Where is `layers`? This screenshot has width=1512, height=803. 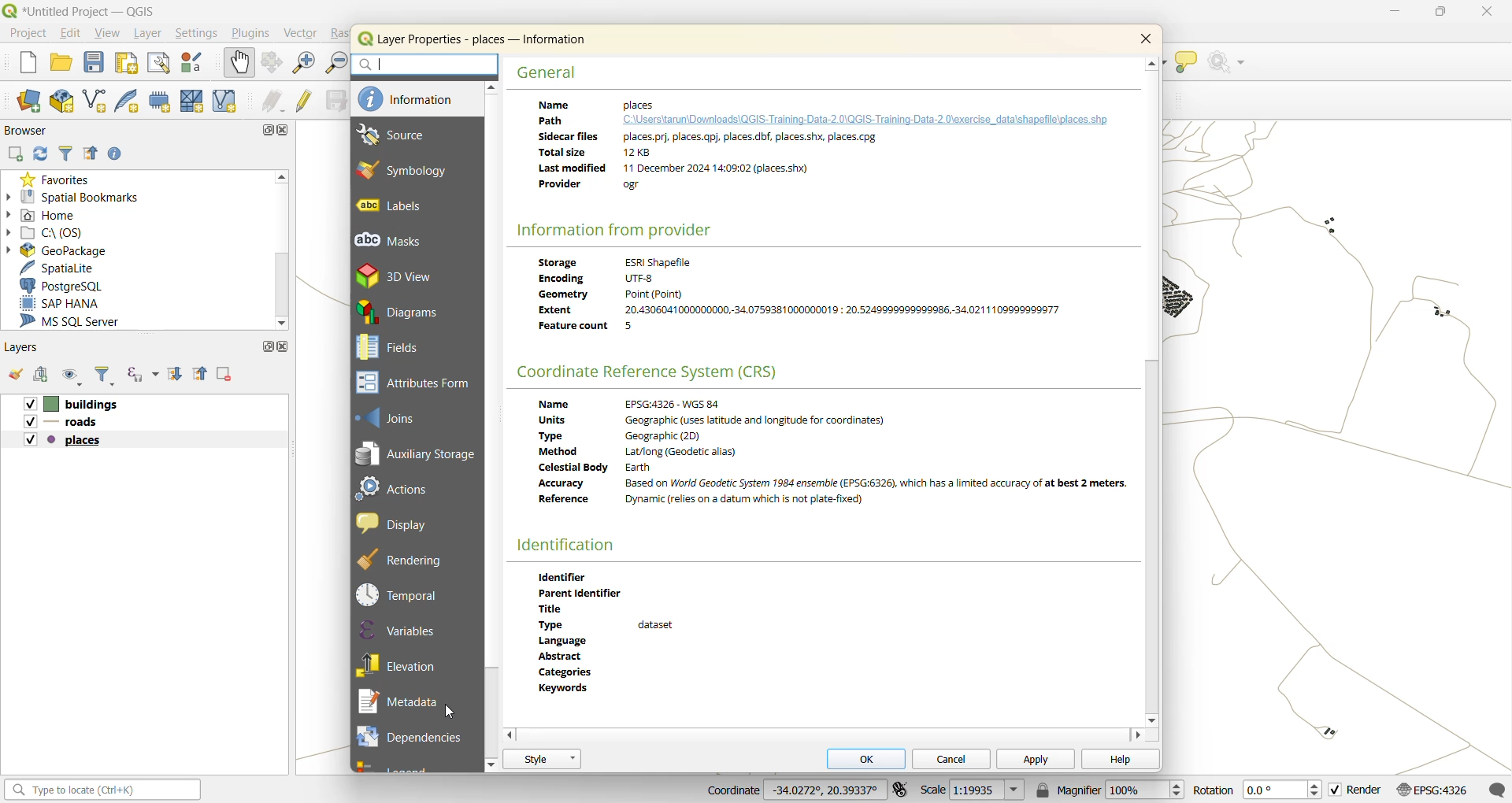 layers is located at coordinates (66, 422).